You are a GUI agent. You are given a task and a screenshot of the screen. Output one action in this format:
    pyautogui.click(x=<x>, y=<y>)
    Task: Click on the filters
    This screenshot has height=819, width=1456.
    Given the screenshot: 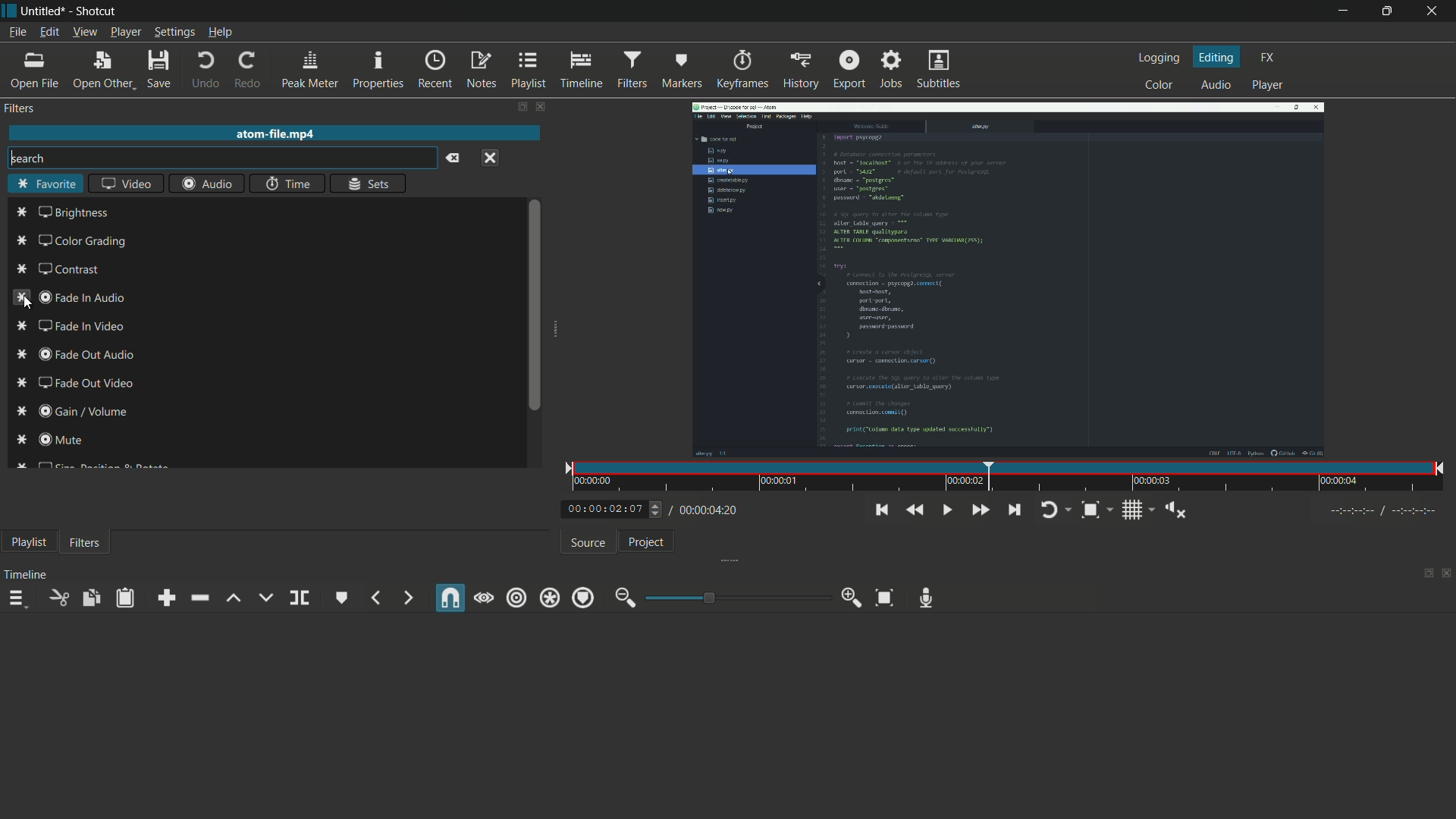 What is the action you would take?
    pyautogui.click(x=20, y=108)
    